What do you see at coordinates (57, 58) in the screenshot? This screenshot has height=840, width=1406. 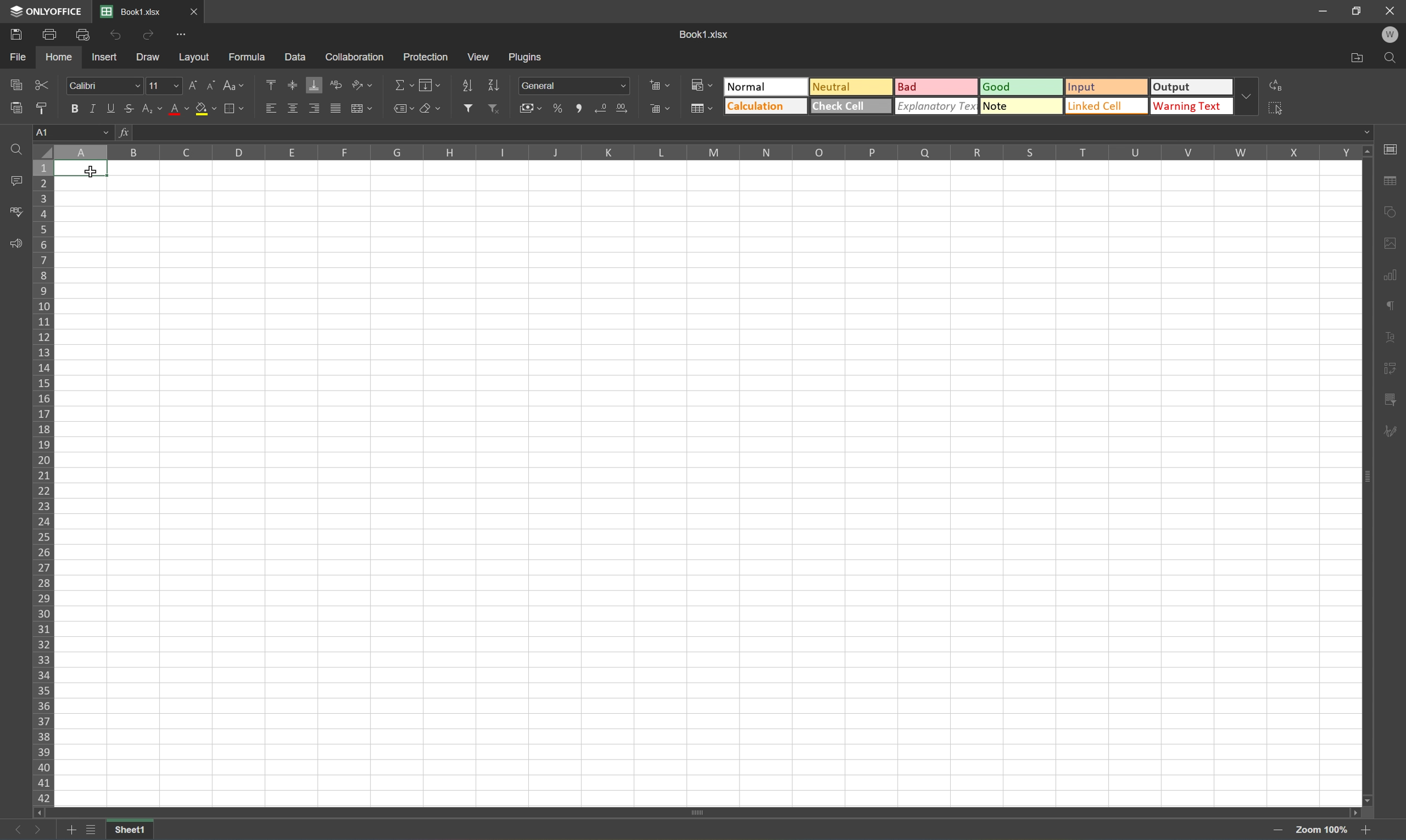 I see `Home` at bounding box center [57, 58].